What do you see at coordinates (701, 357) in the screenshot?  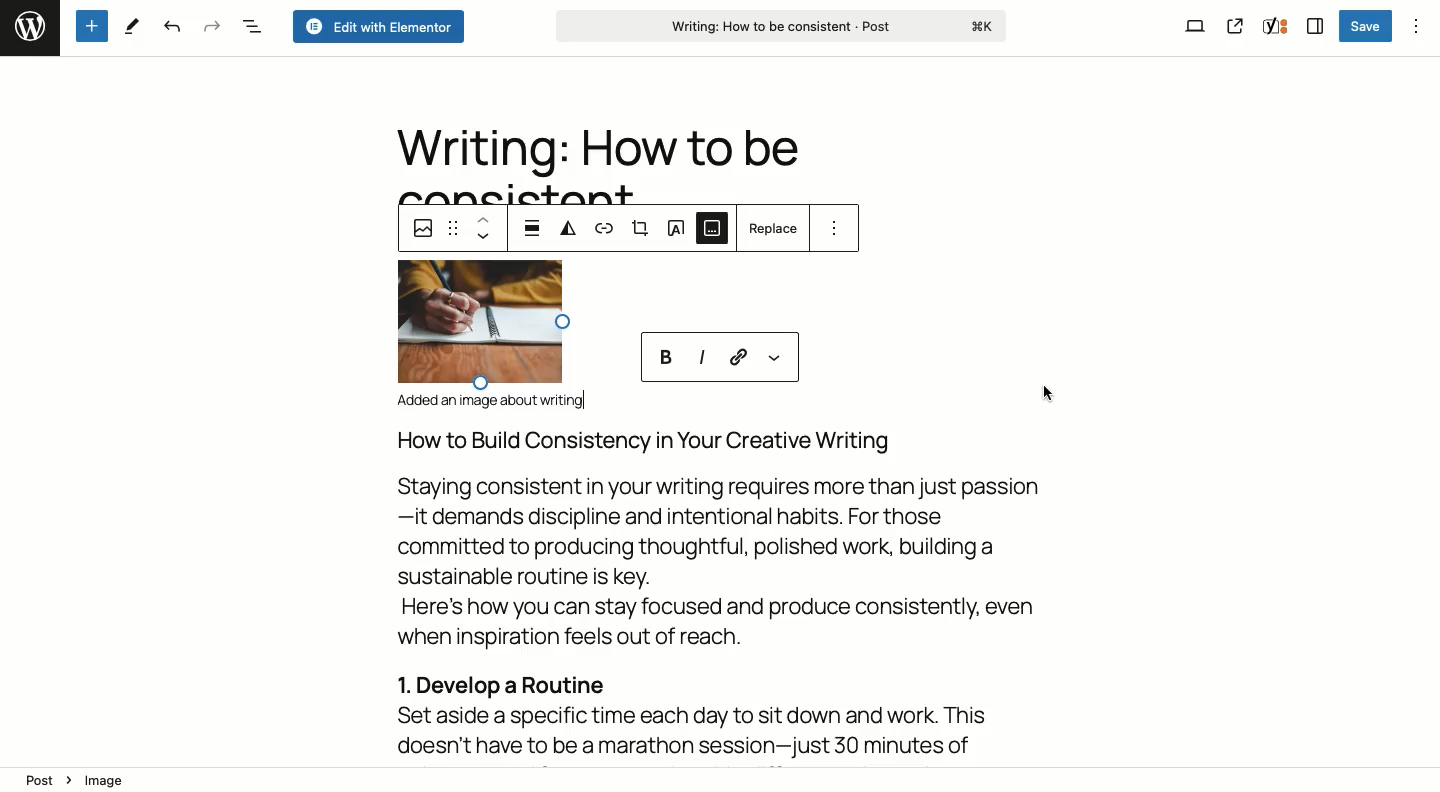 I see `Italics` at bounding box center [701, 357].